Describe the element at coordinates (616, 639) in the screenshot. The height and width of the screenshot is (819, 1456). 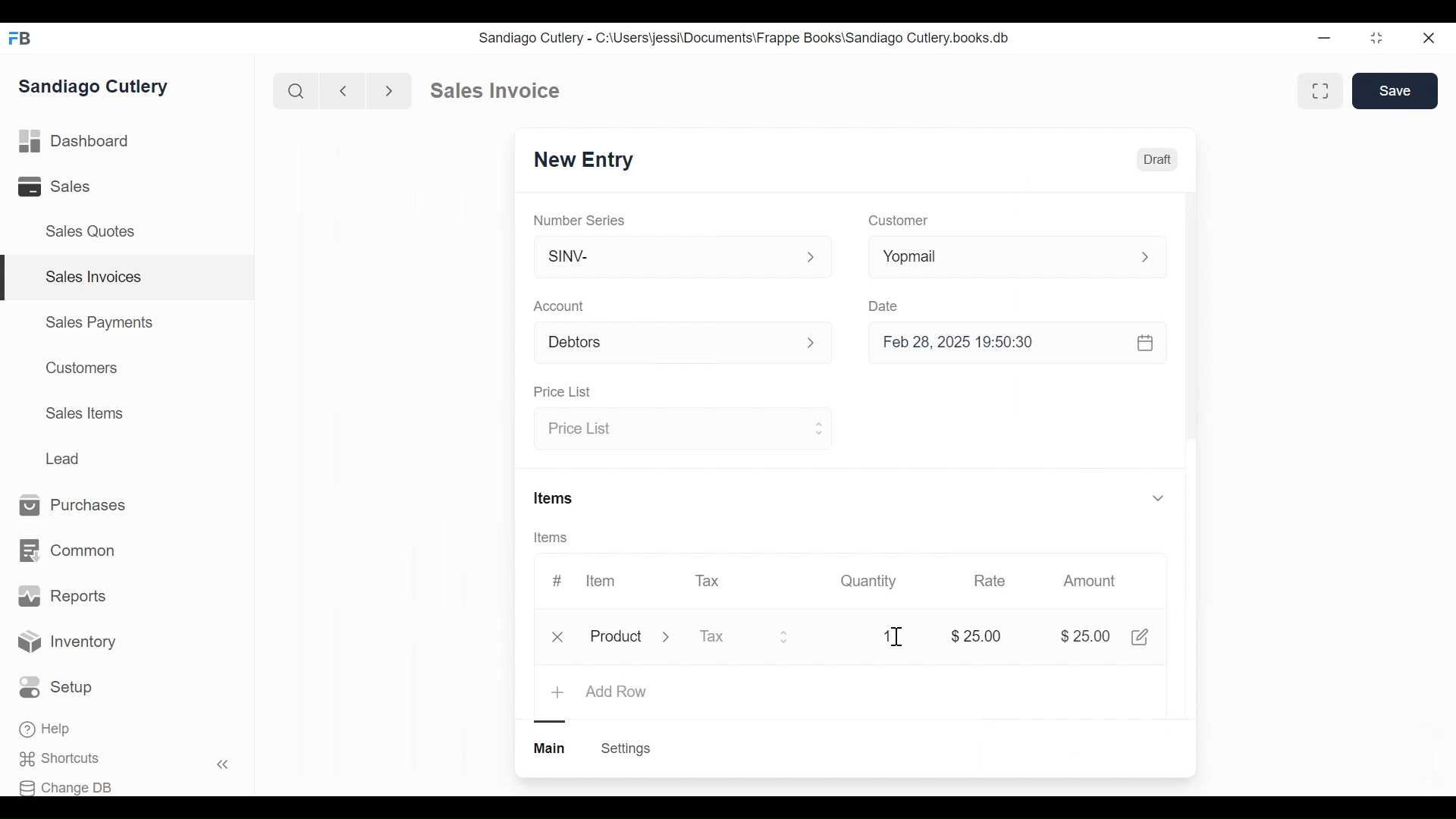
I see `product` at that location.